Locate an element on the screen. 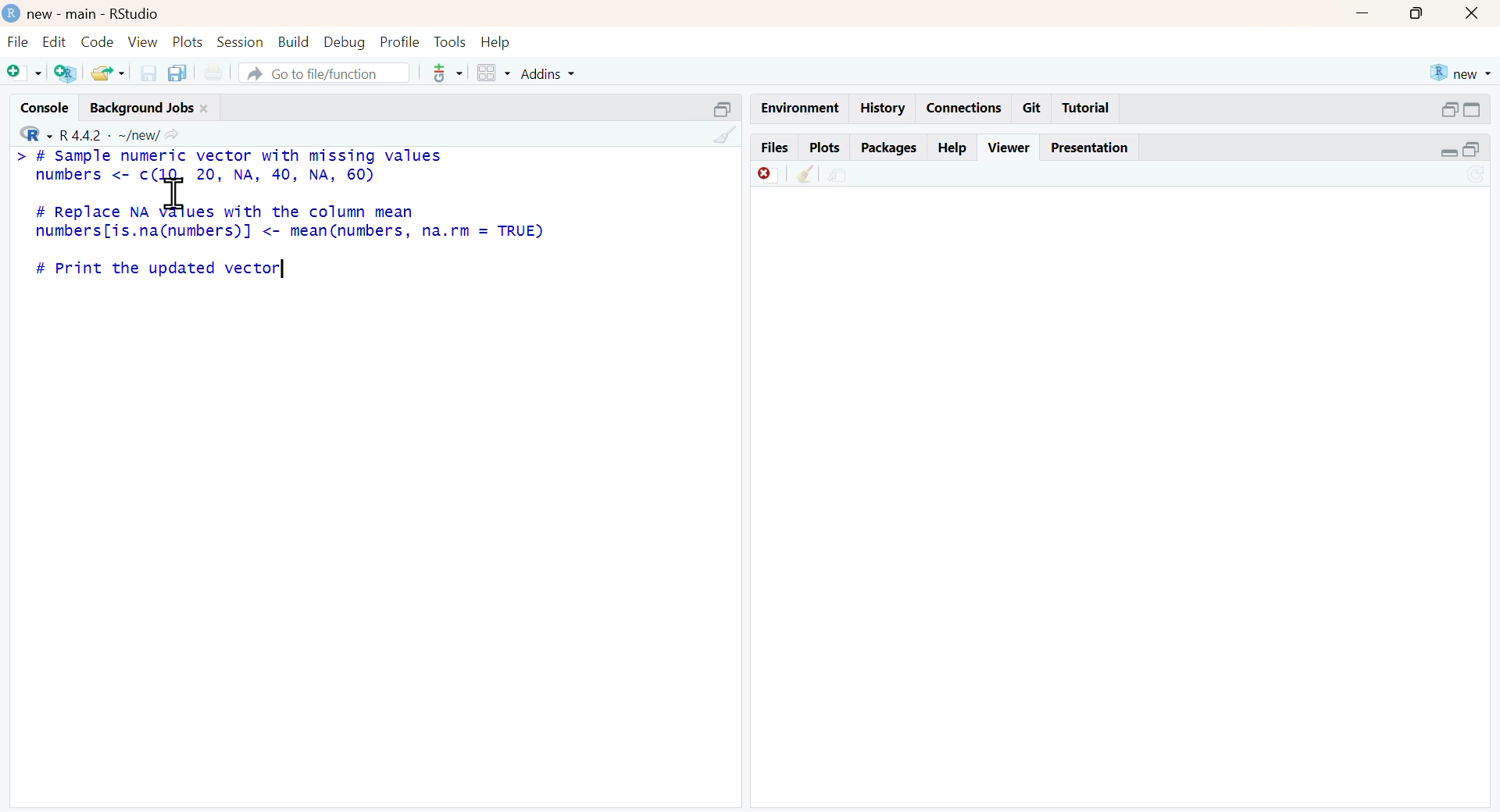 The image size is (1500, 812). share icon is located at coordinates (171, 135).